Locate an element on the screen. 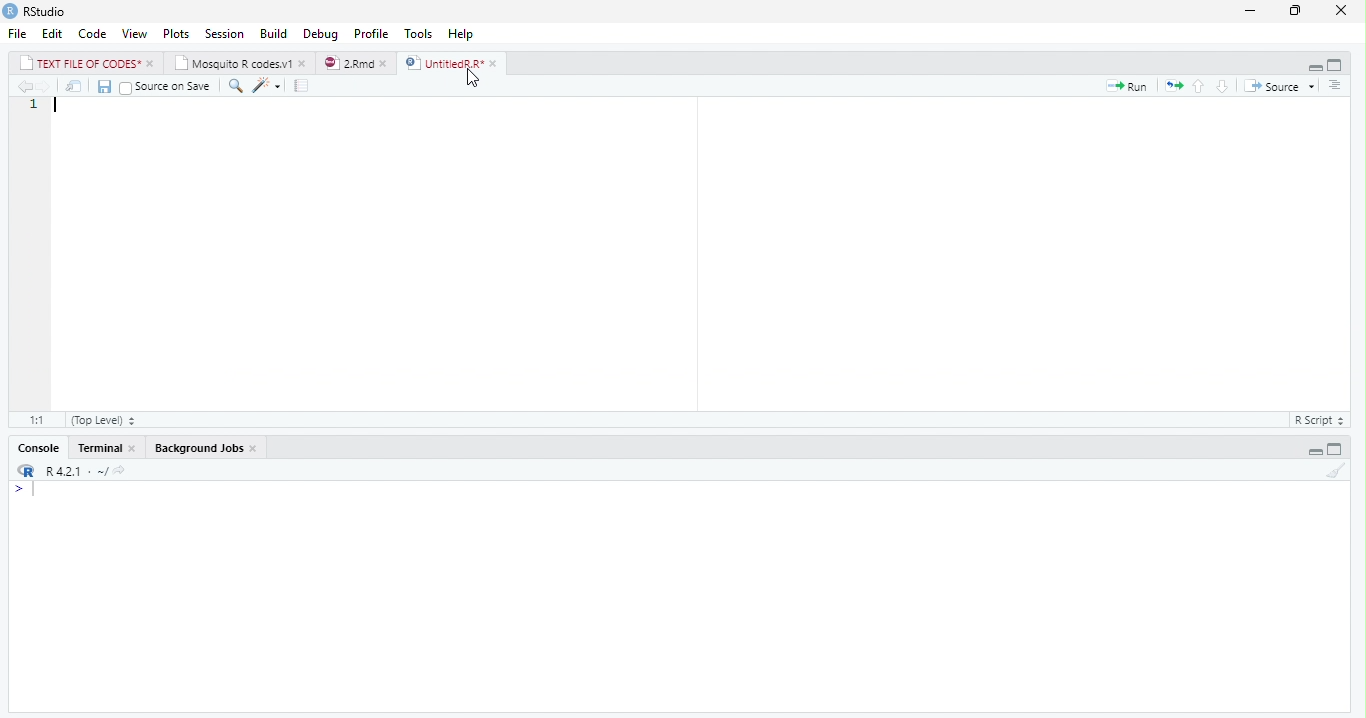 The image size is (1366, 718). code tools is located at coordinates (266, 85).